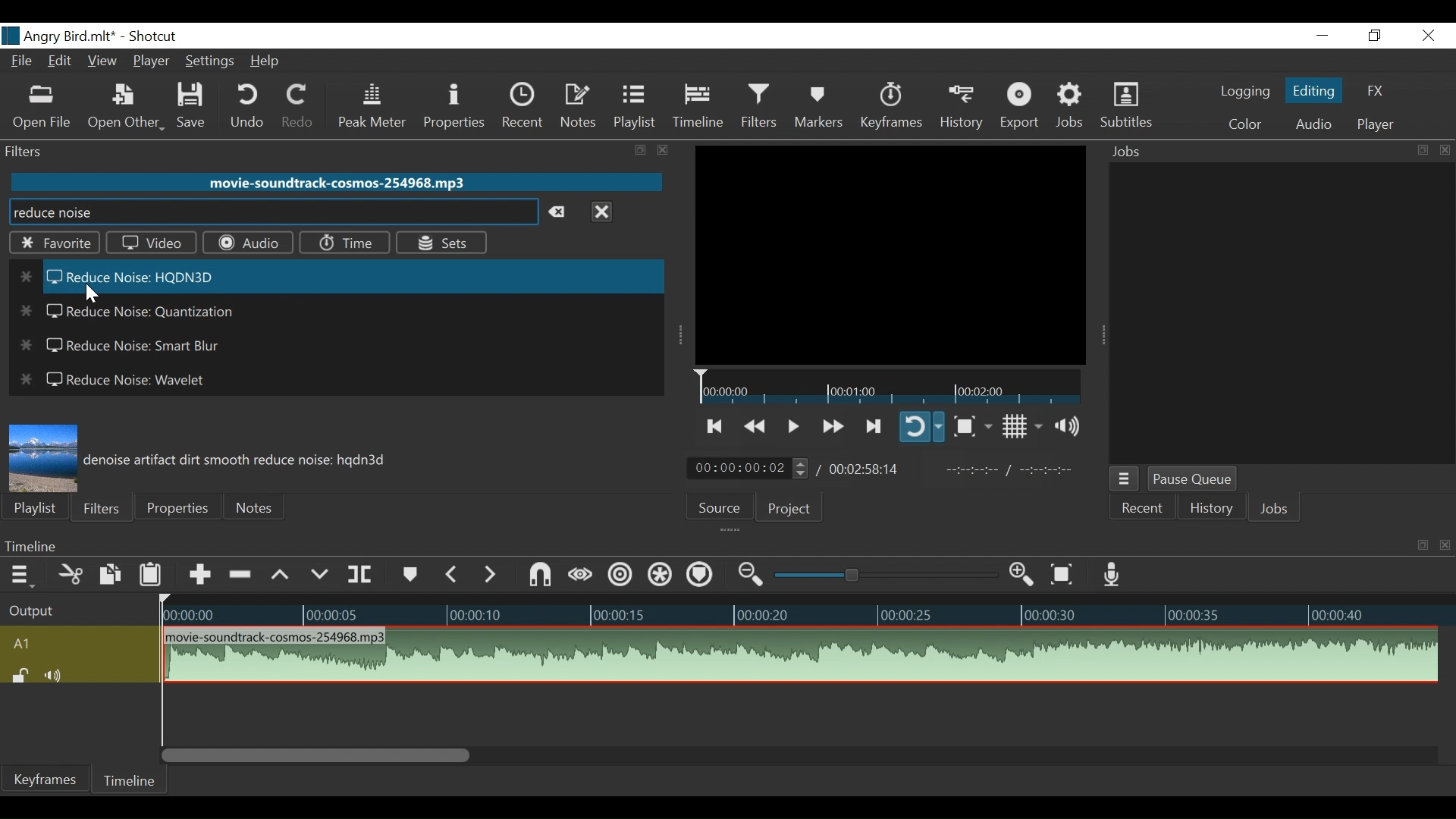 The height and width of the screenshot is (819, 1456). Describe the element at coordinates (890, 255) in the screenshot. I see `Media Viewer` at that location.